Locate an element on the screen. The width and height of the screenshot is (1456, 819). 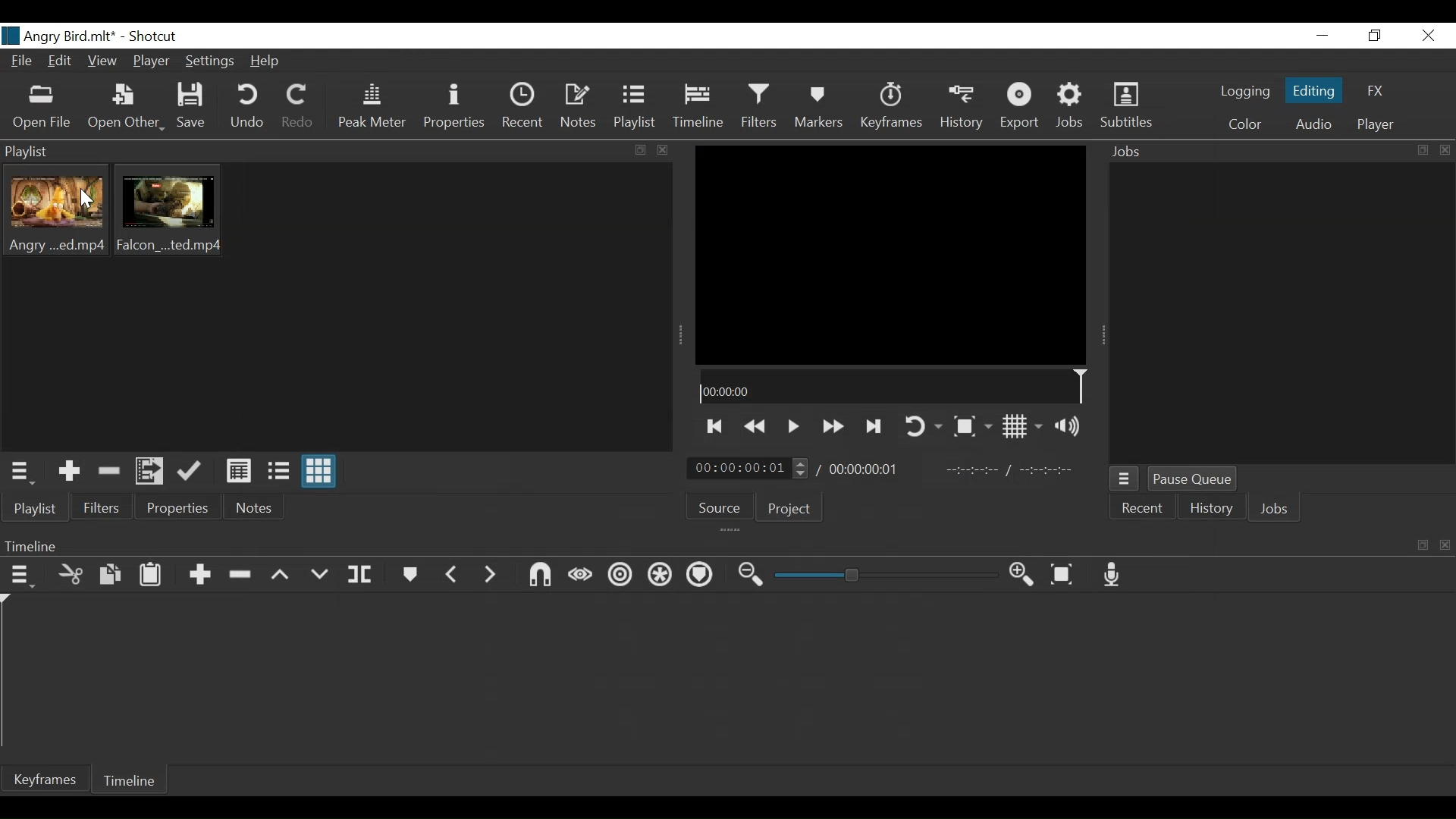
Record audio is located at coordinates (1113, 574).